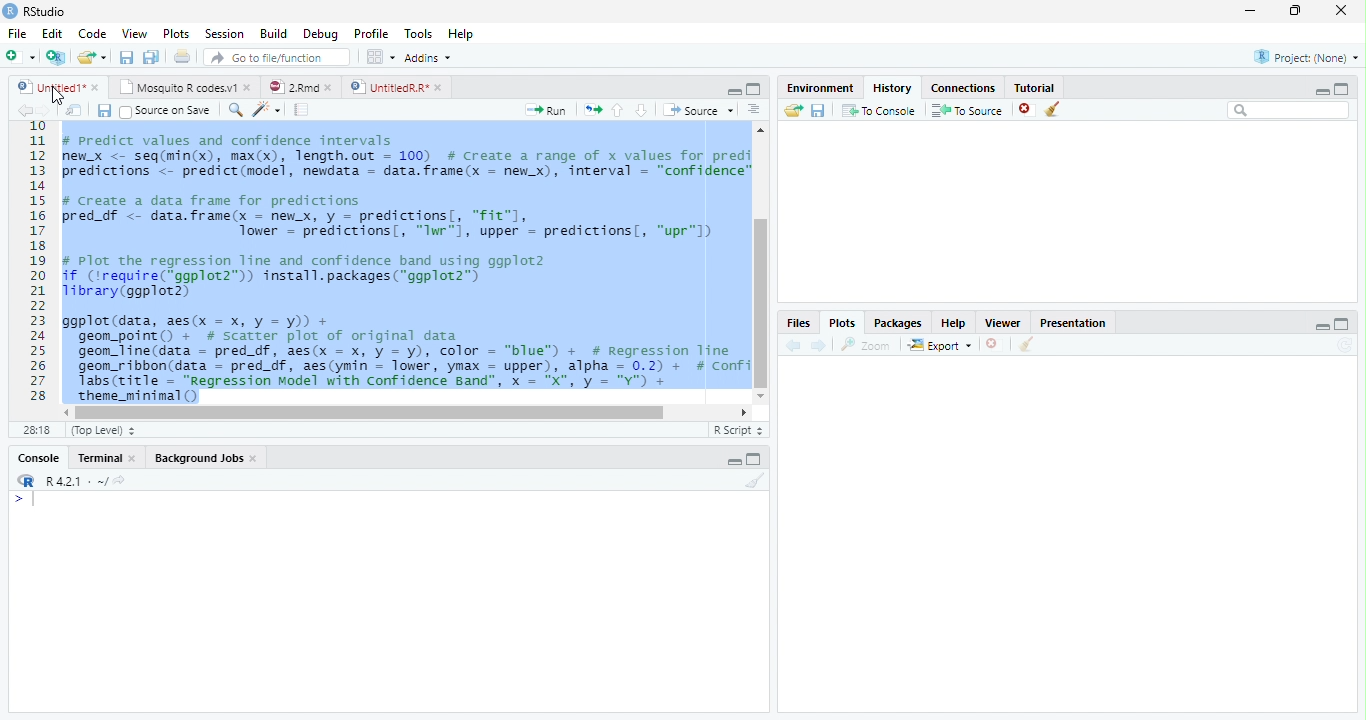 This screenshot has width=1366, height=720. What do you see at coordinates (184, 87) in the screenshot?
I see `Mosquito R codes` at bounding box center [184, 87].